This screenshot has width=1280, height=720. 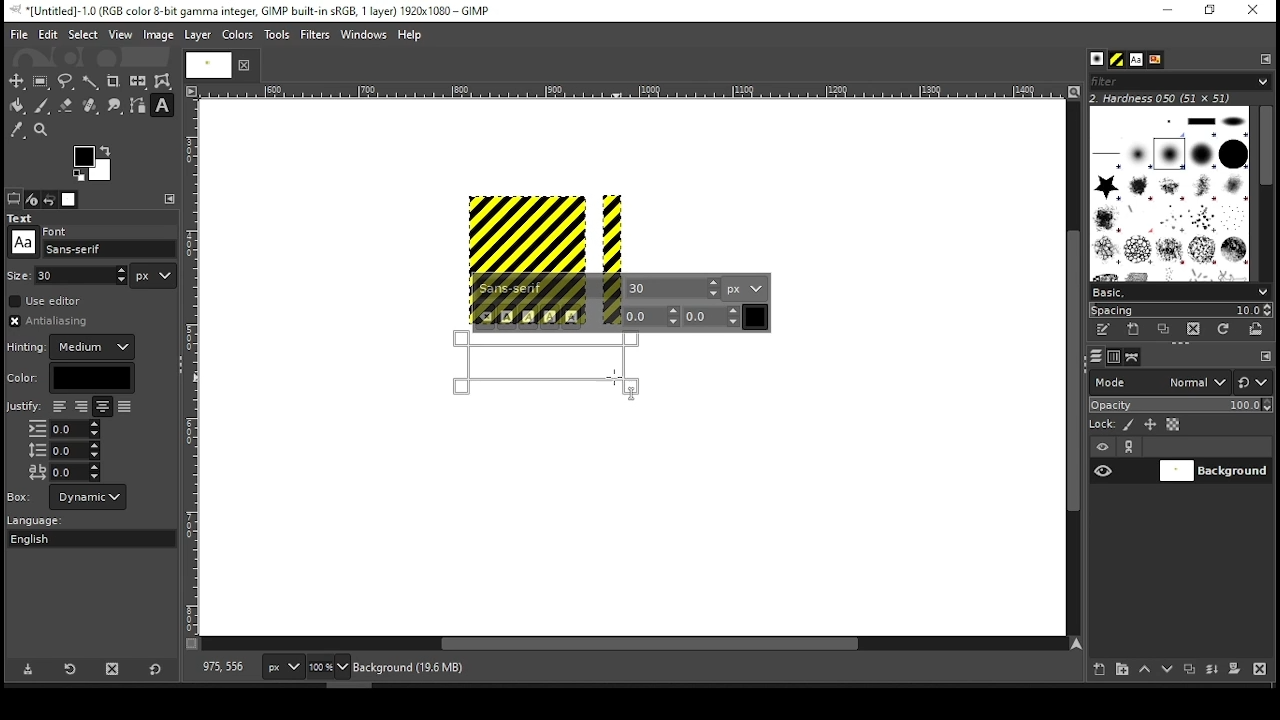 I want to click on strikethrough, so click(x=572, y=317).